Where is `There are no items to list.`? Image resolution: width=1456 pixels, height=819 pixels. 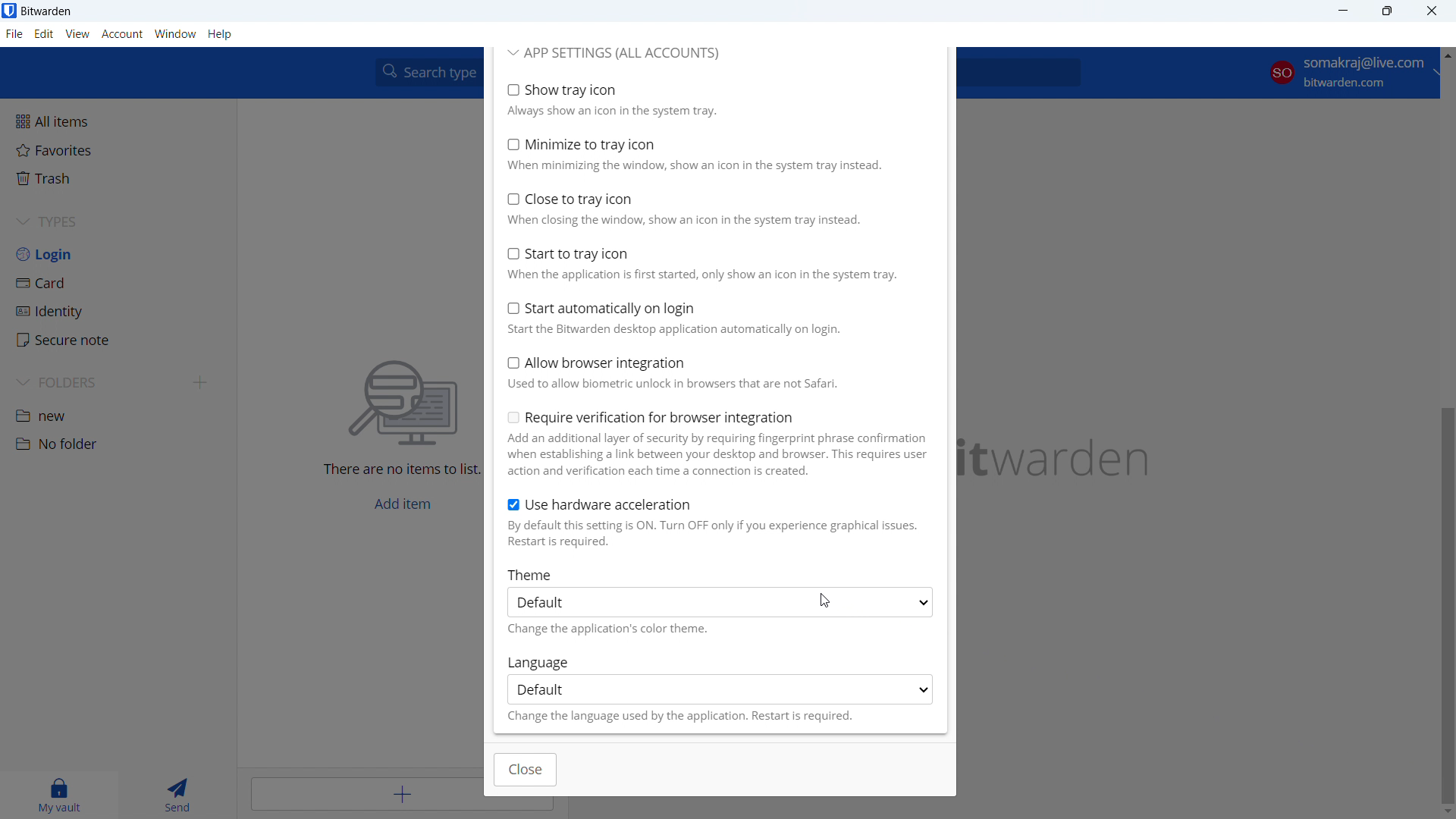
There are no items to list. is located at coordinates (399, 472).